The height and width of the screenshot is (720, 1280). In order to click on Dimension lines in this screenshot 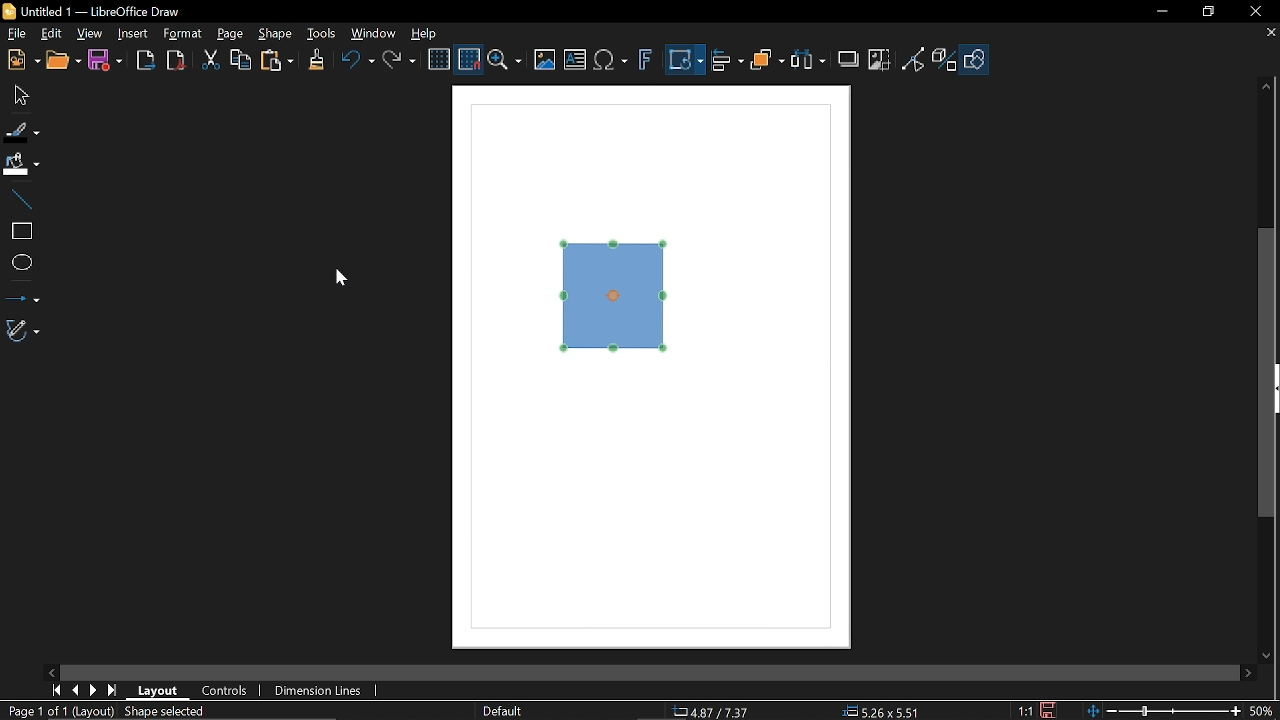, I will do `click(314, 690)`.